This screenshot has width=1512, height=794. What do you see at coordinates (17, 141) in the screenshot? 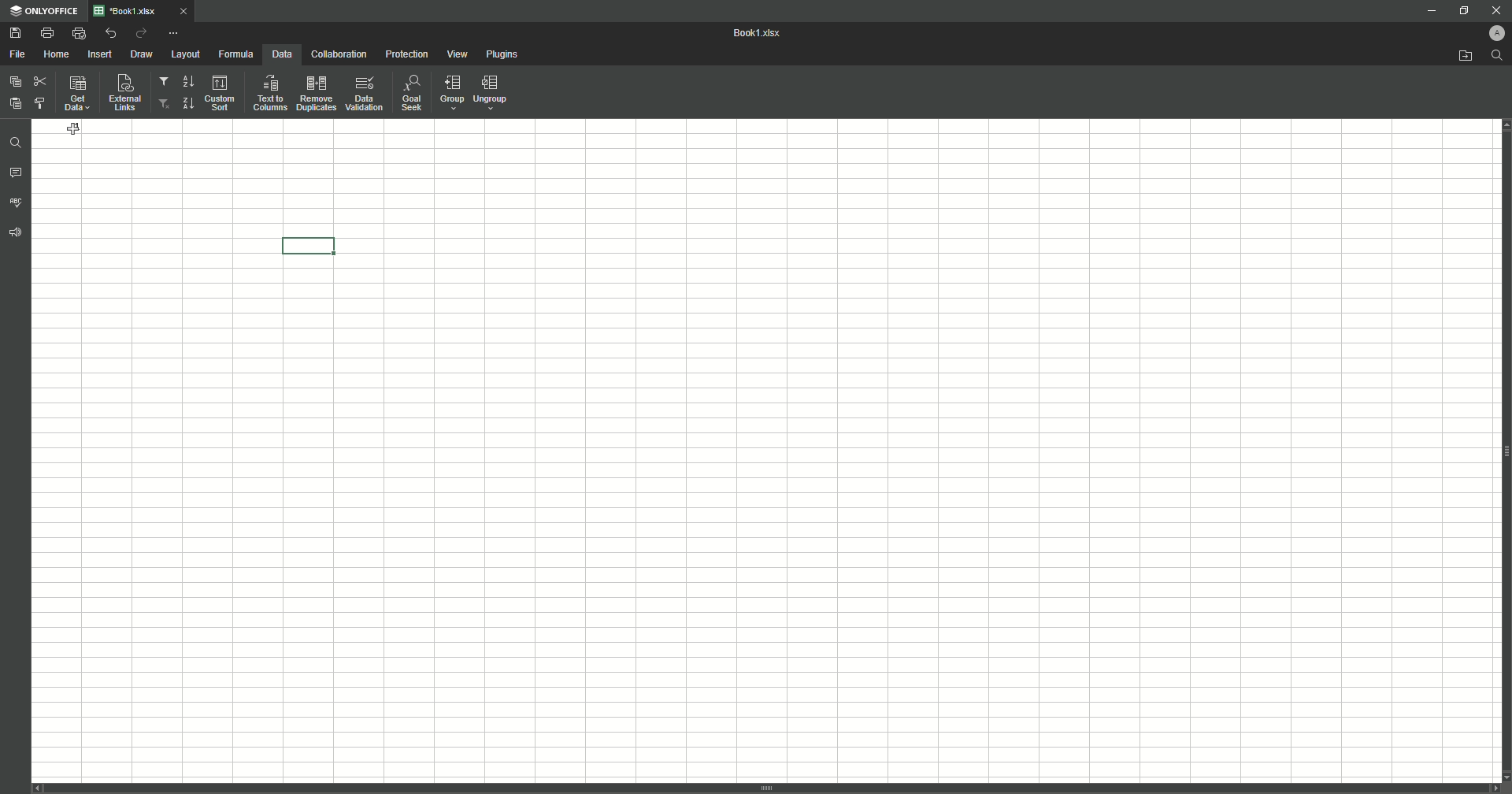
I see `Find` at bounding box center [17, 141].